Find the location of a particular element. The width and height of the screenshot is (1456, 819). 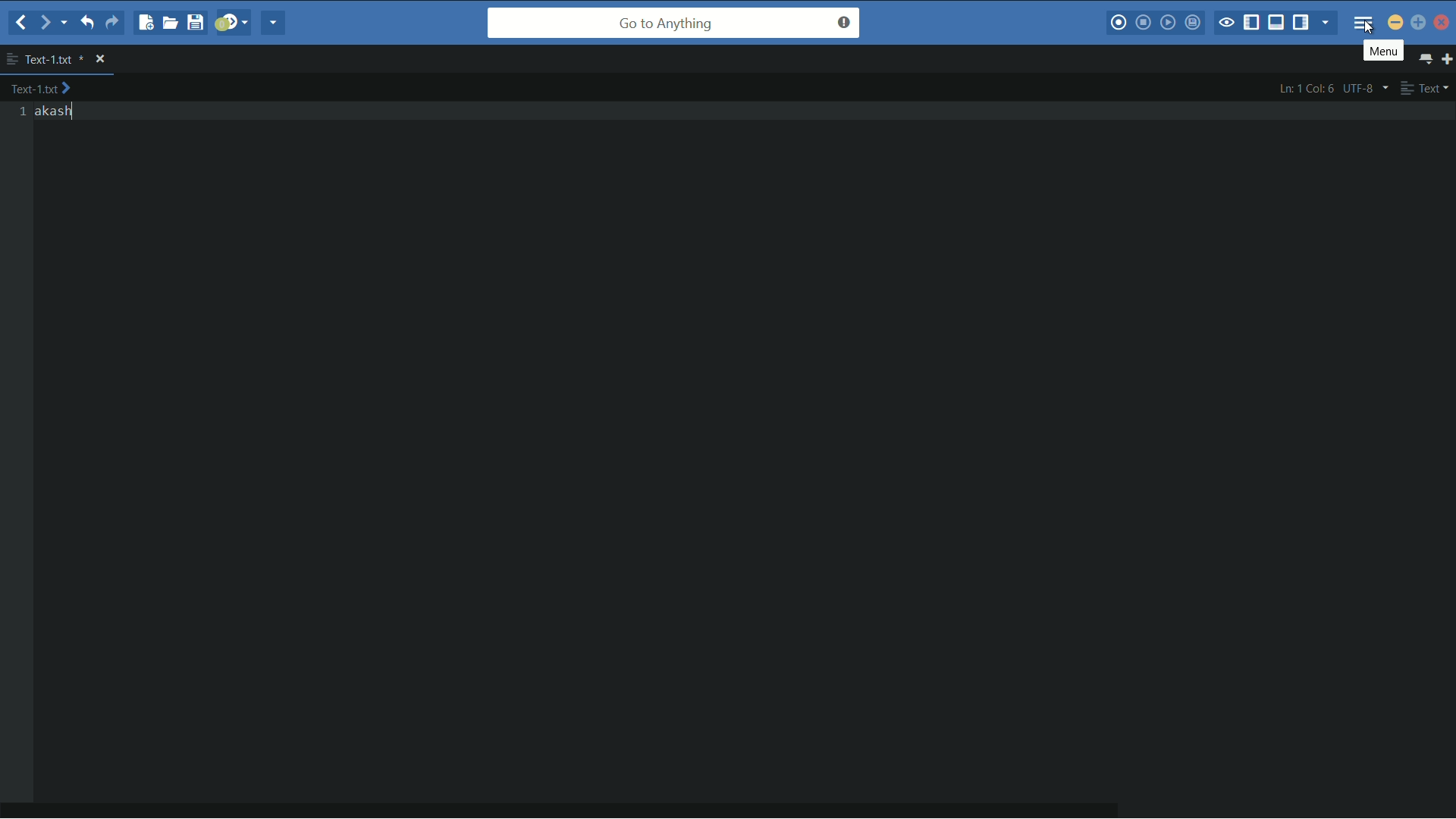

save file is located at coordinates (197, 22).